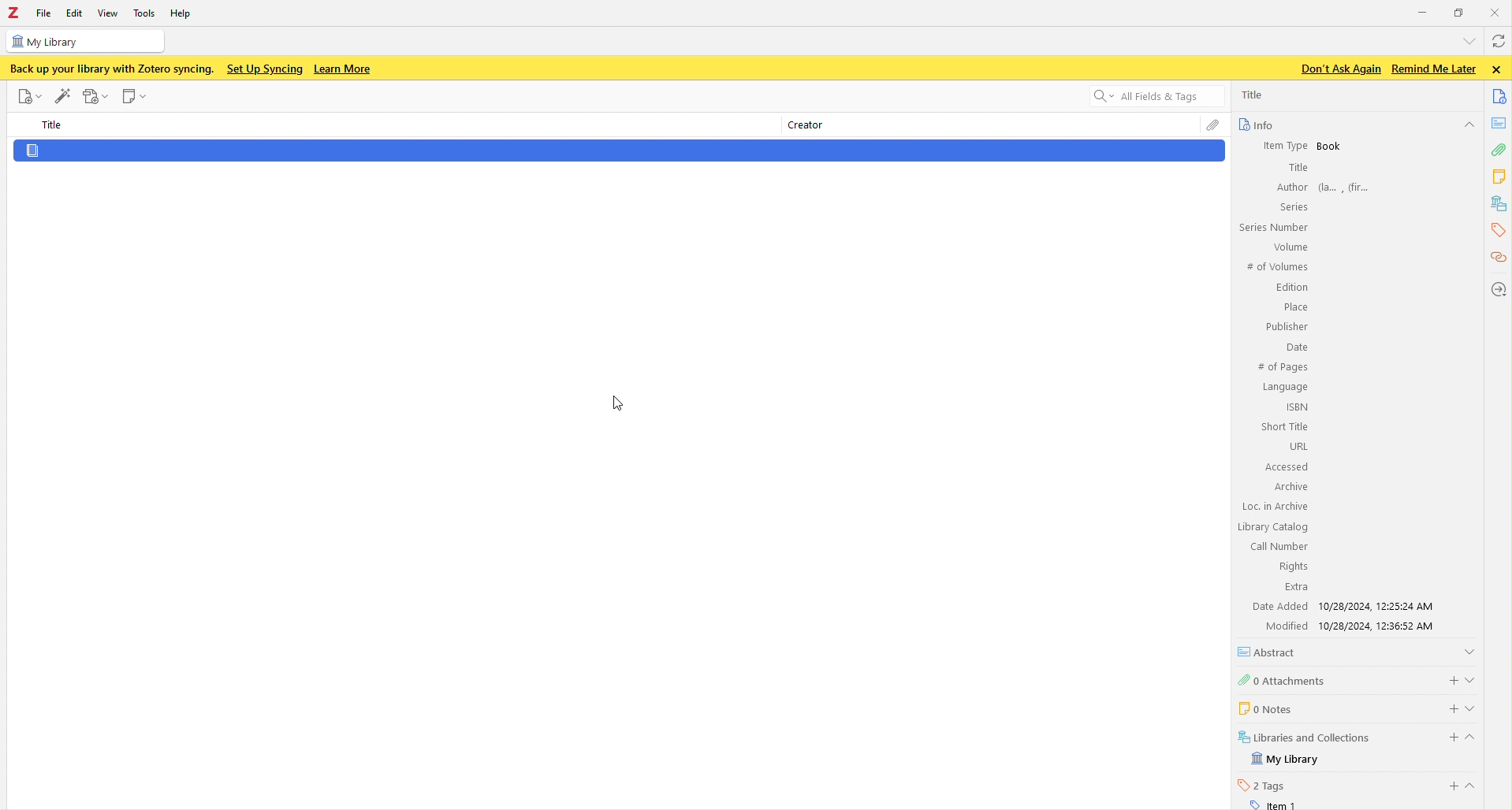  Describe the element at coordinates (1291, 206) in the screenshot. I see `Series` at that location.